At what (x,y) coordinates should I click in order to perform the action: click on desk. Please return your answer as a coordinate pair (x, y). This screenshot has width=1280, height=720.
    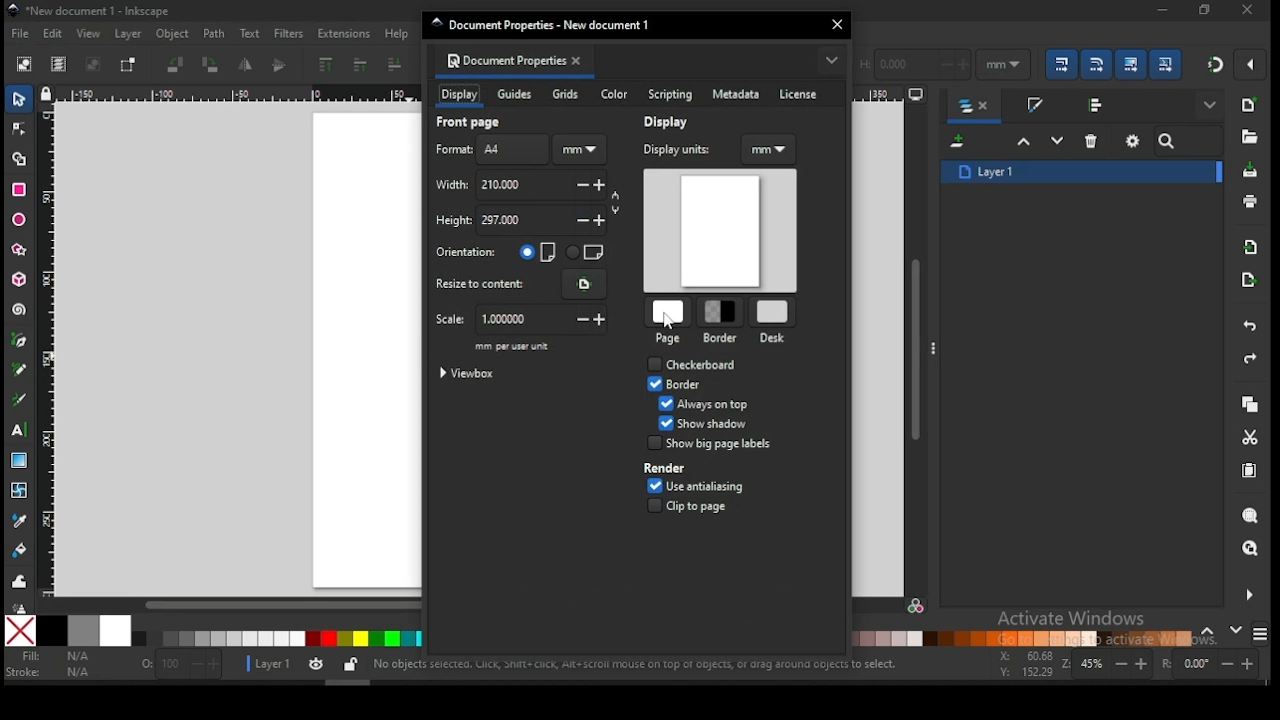
    Looking at the image, I should click on (775, 338).